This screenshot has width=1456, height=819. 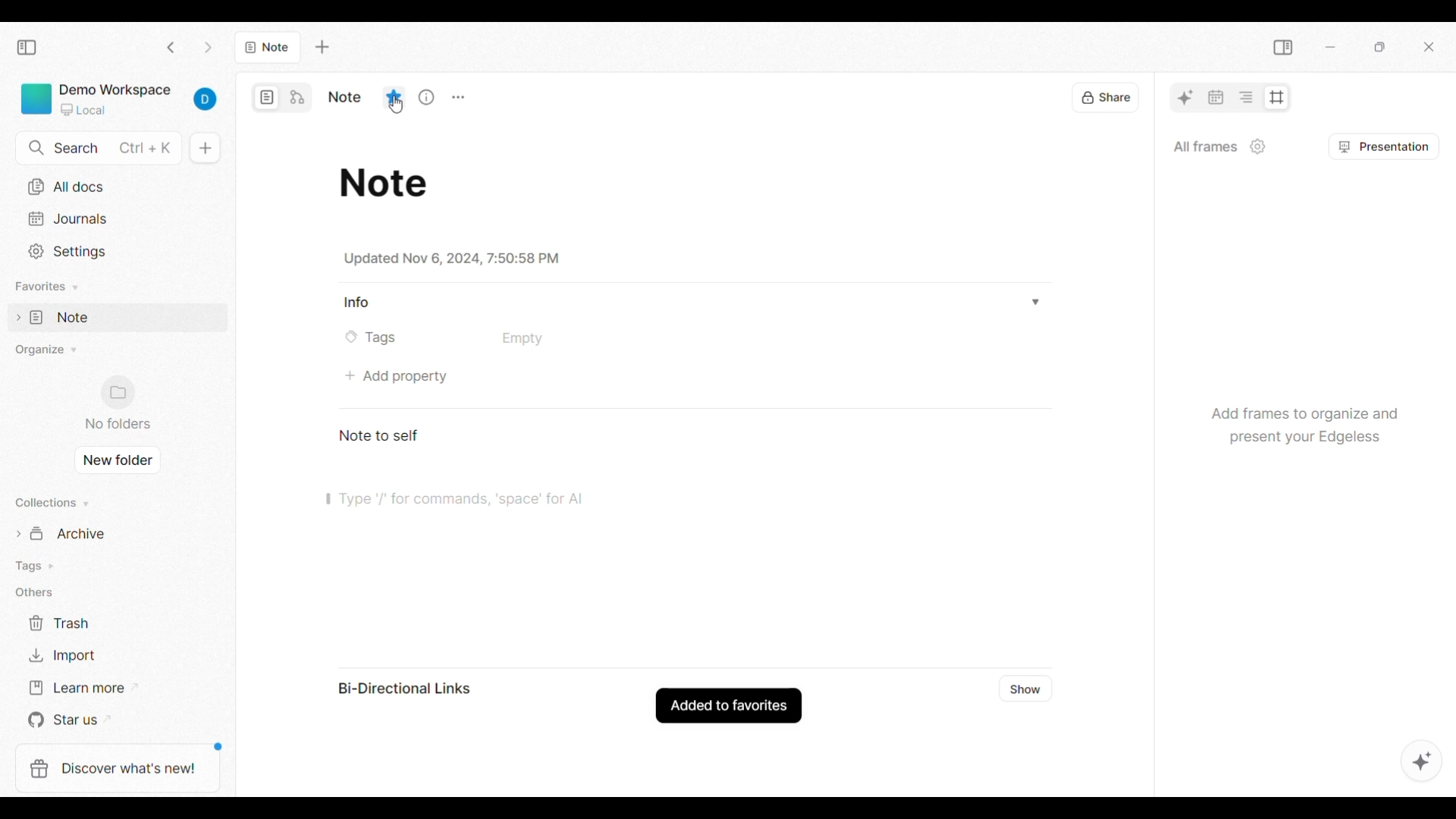 I want to click on Switch to another edit mode, so click(x=297, y=98).